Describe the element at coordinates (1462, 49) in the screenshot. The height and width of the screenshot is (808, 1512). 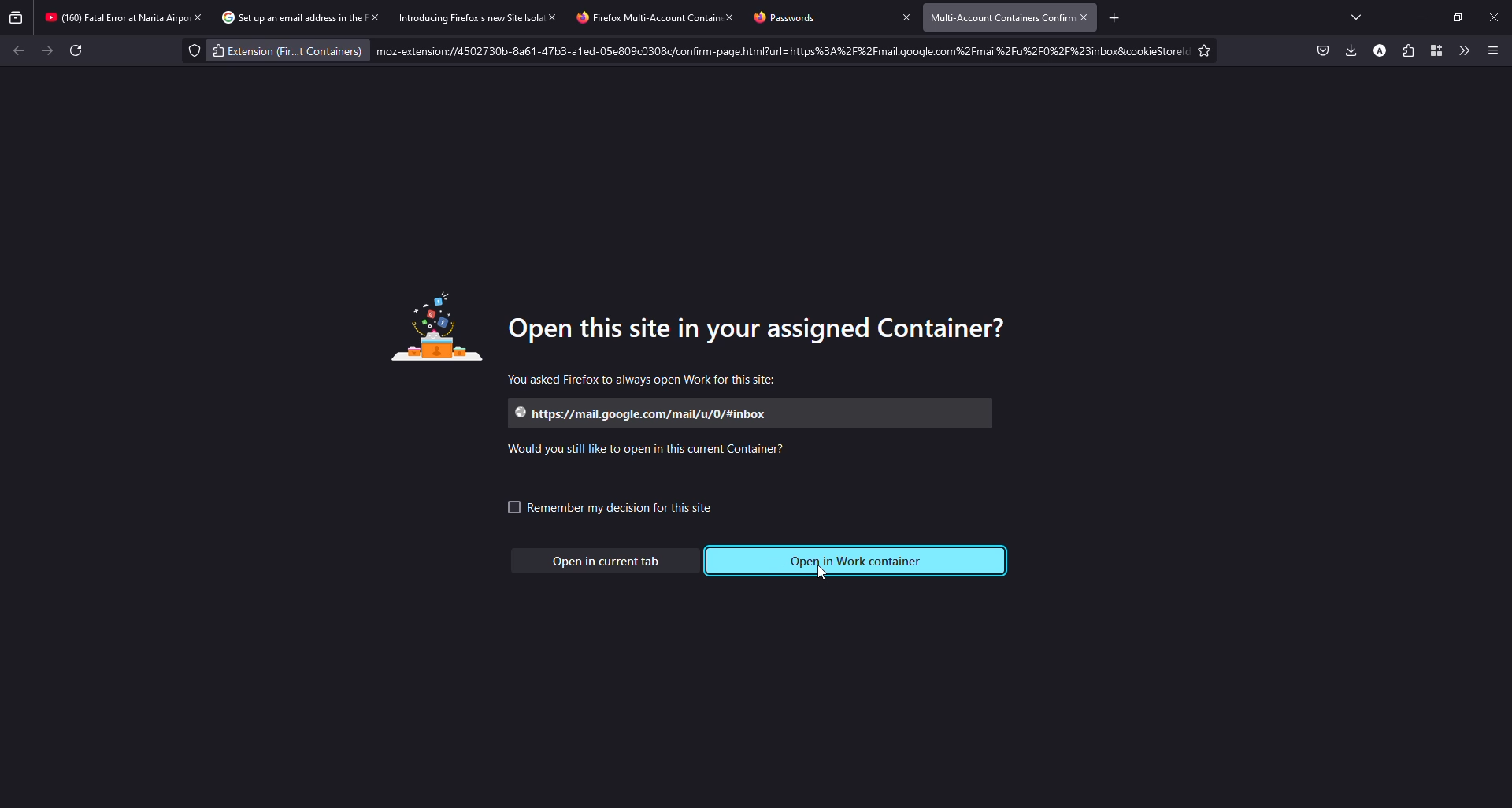
I see `more tools` at that location.